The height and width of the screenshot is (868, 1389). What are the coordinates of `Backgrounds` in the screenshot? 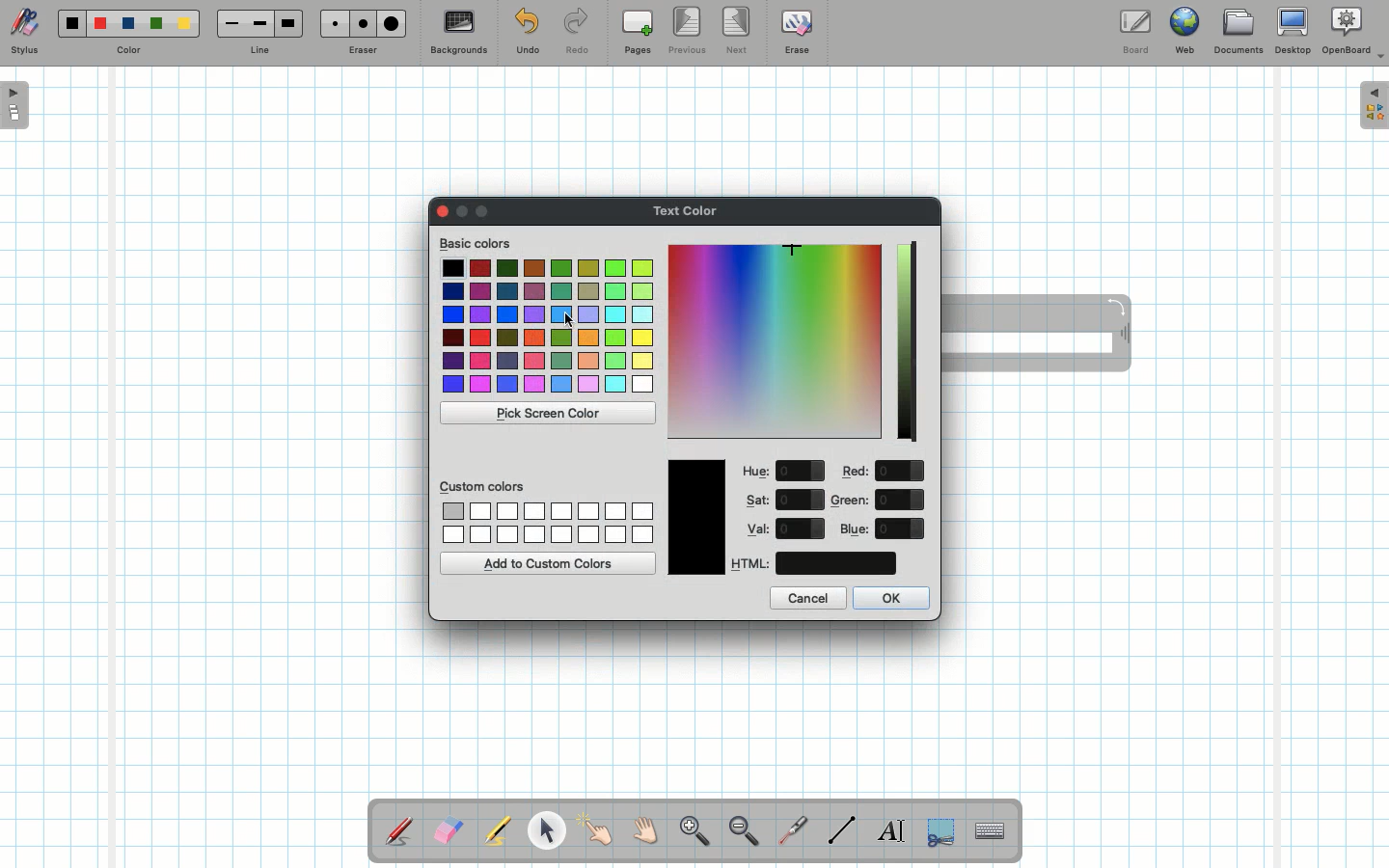 It's located at (458, 33).